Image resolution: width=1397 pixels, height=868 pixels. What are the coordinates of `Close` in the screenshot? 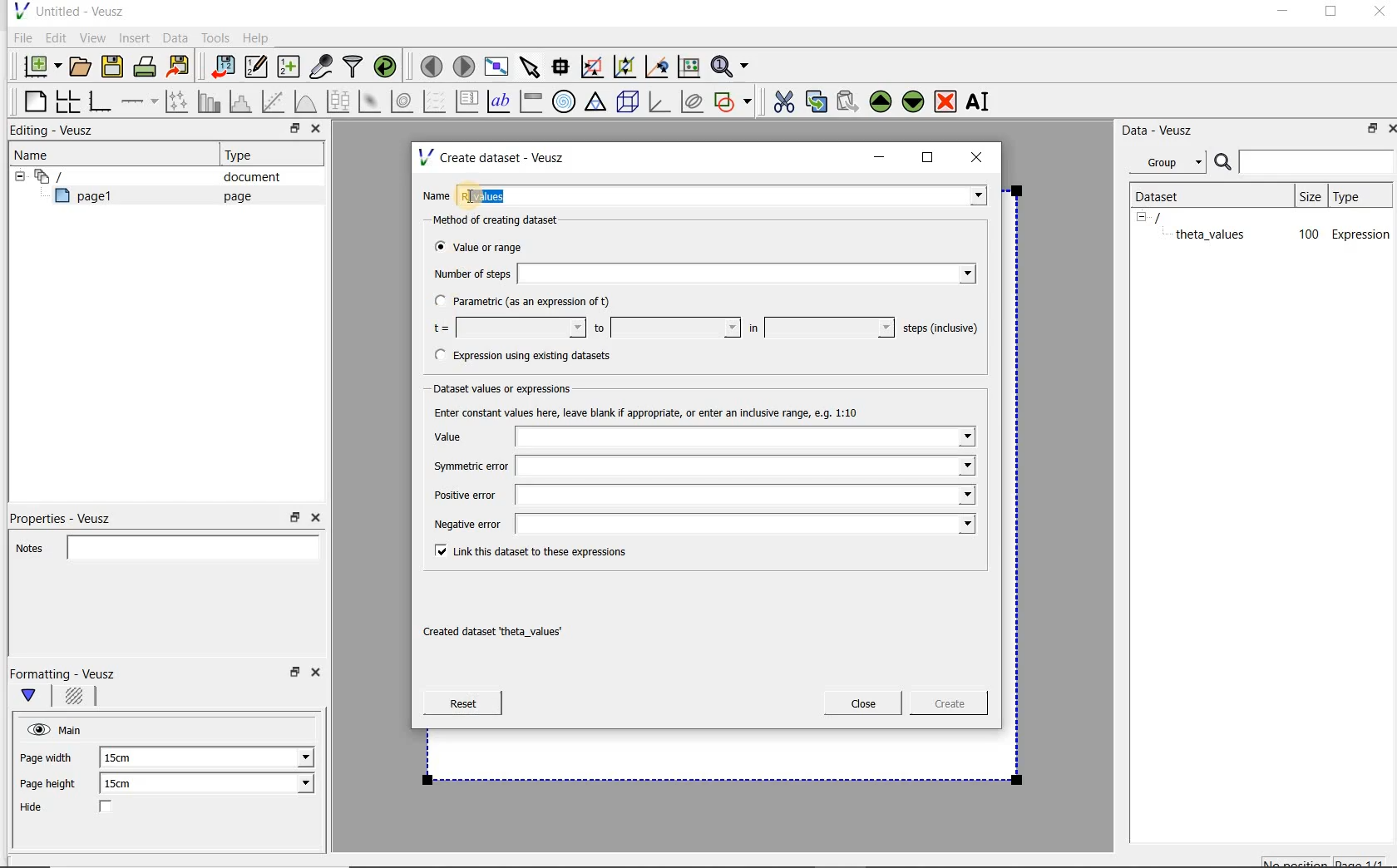 It's located at (1378, 14).